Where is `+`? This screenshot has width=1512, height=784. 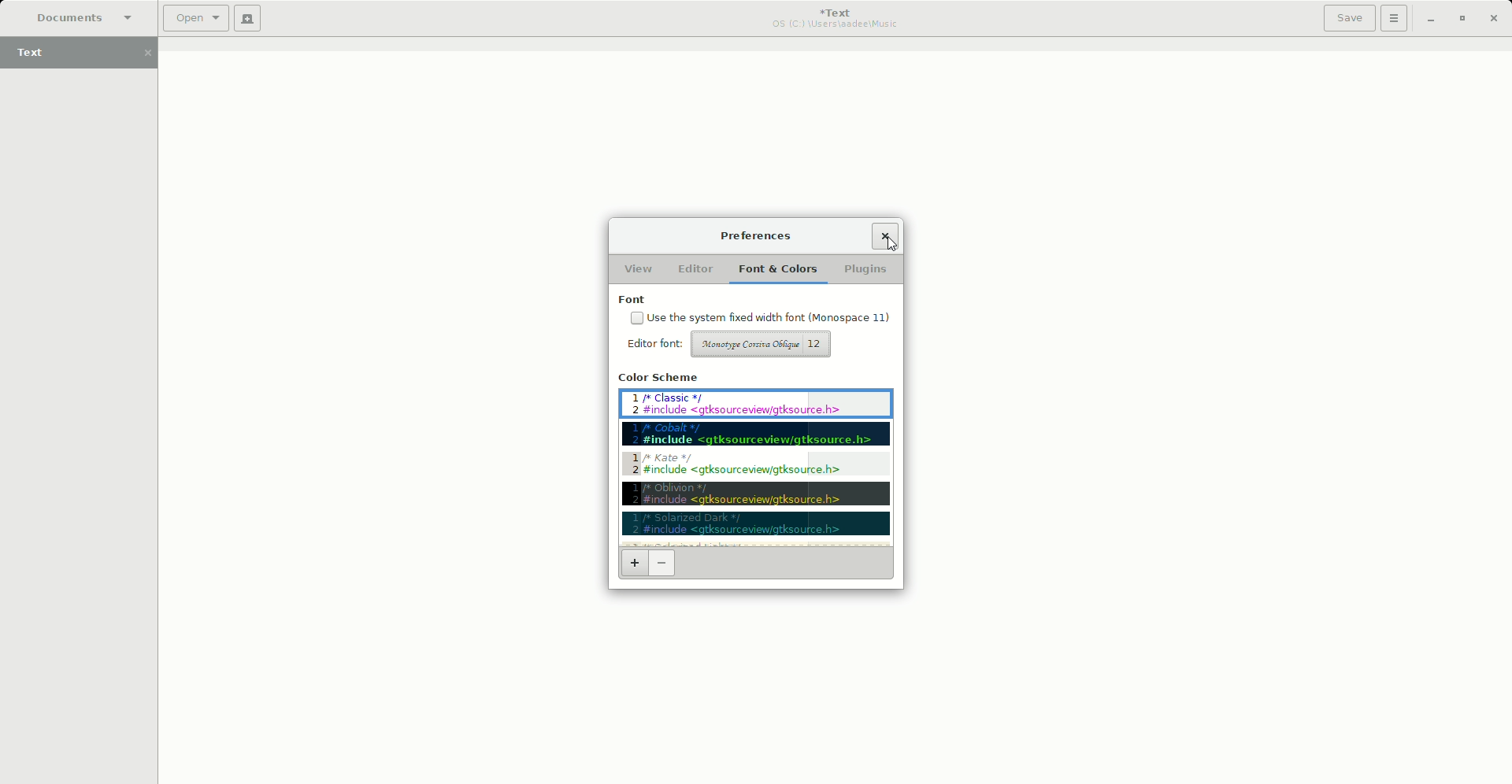 + is located at coordinates (633, 568).